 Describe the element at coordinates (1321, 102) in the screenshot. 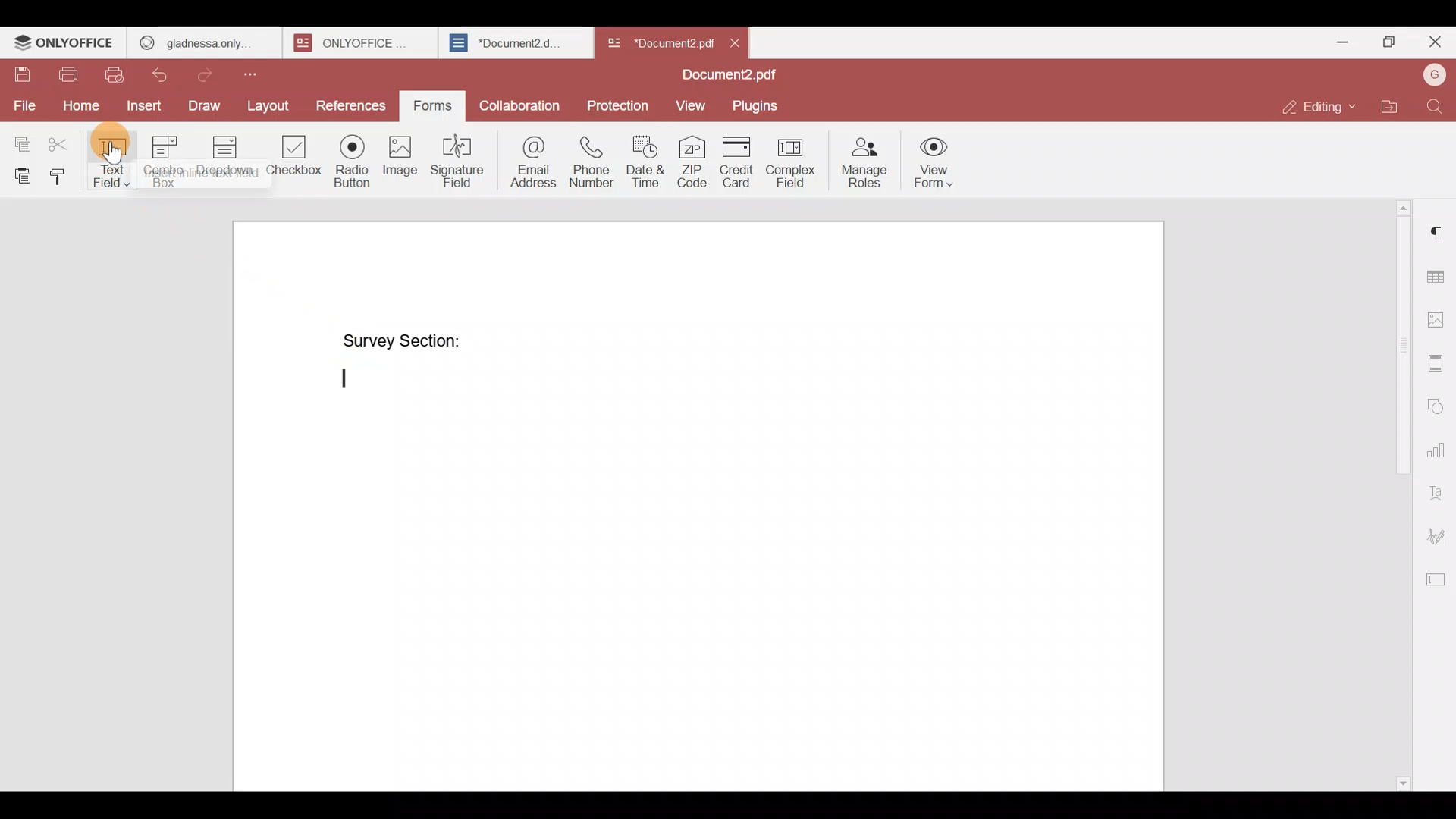

I see `Editing mode` at that location.